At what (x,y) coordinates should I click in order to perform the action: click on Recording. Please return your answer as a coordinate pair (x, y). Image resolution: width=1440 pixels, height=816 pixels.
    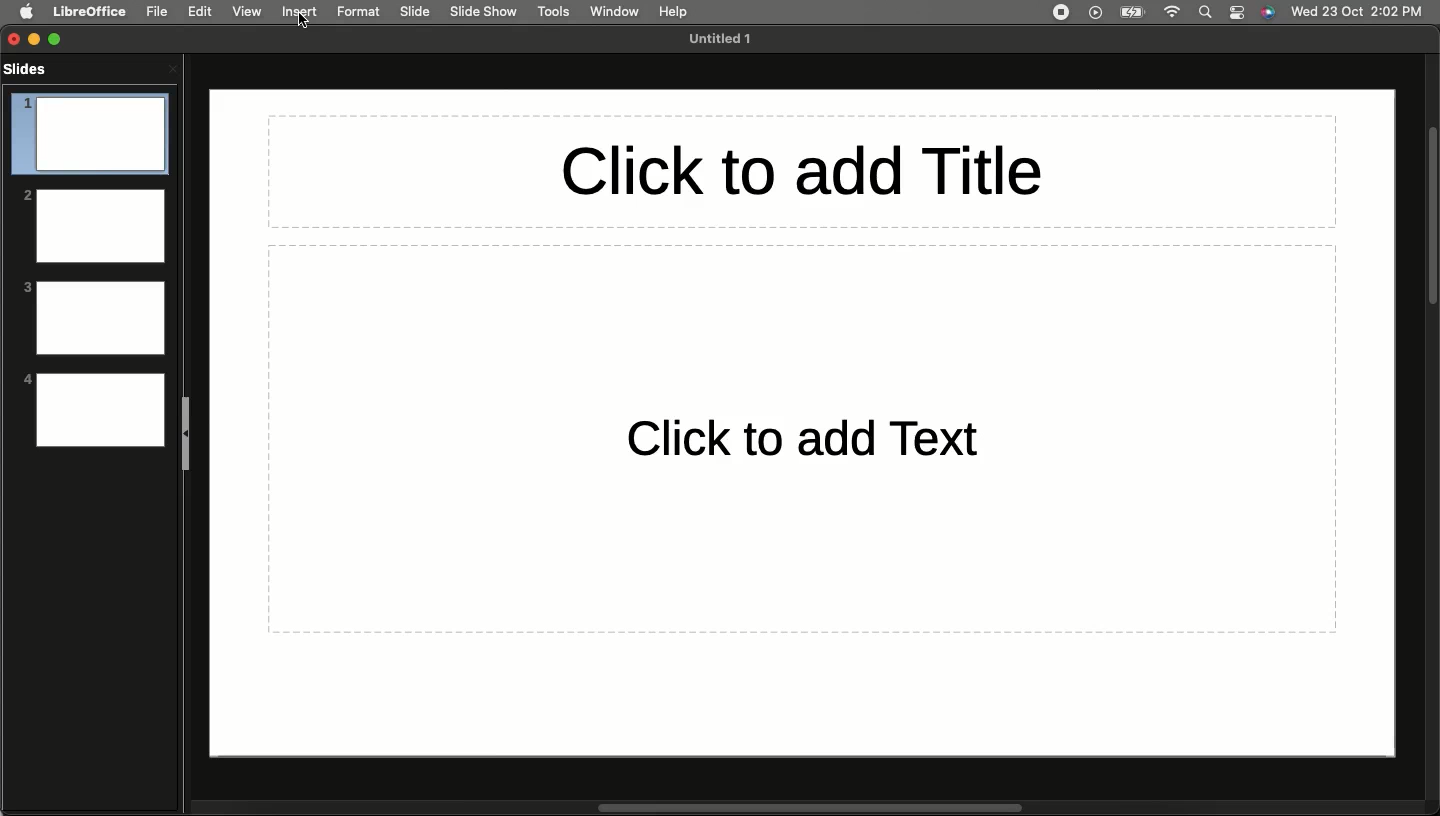
    Looking at the image, I should click on (1060, 11).